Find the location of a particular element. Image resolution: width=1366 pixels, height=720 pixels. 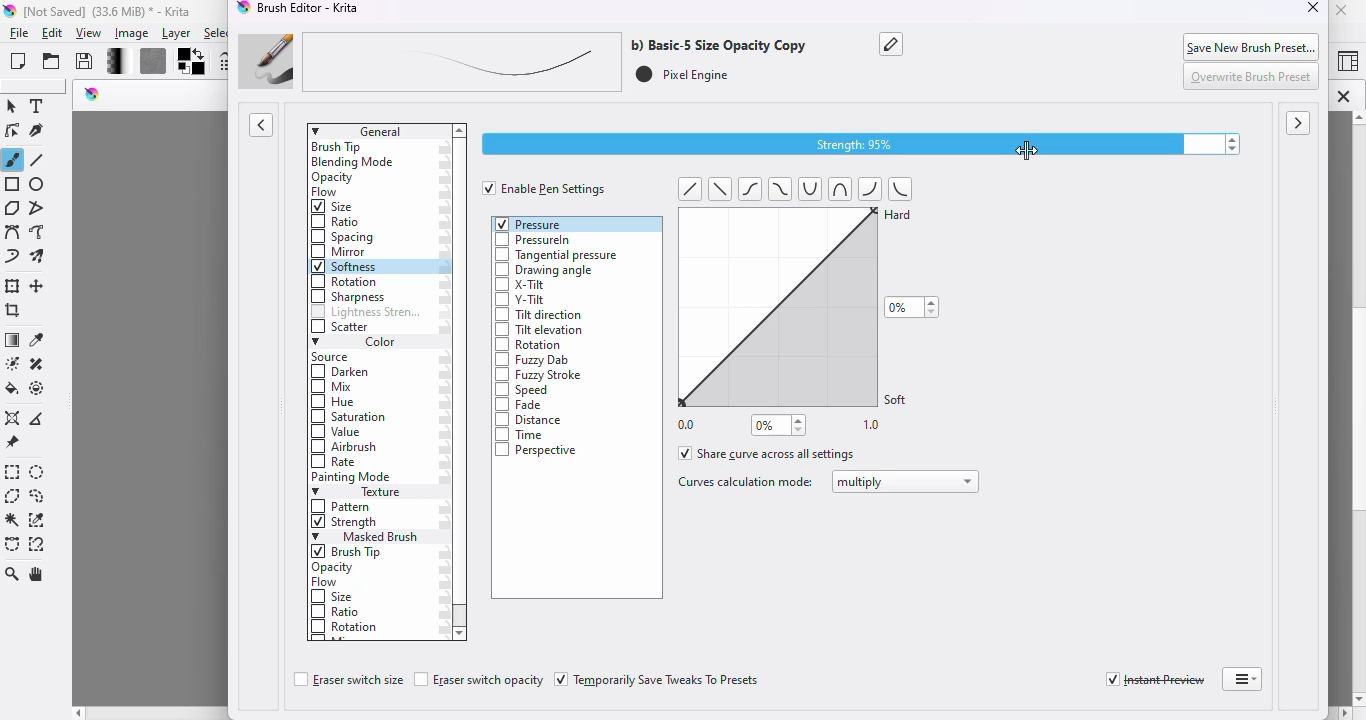

bezier curve tool is located at coordinates (12, 232).